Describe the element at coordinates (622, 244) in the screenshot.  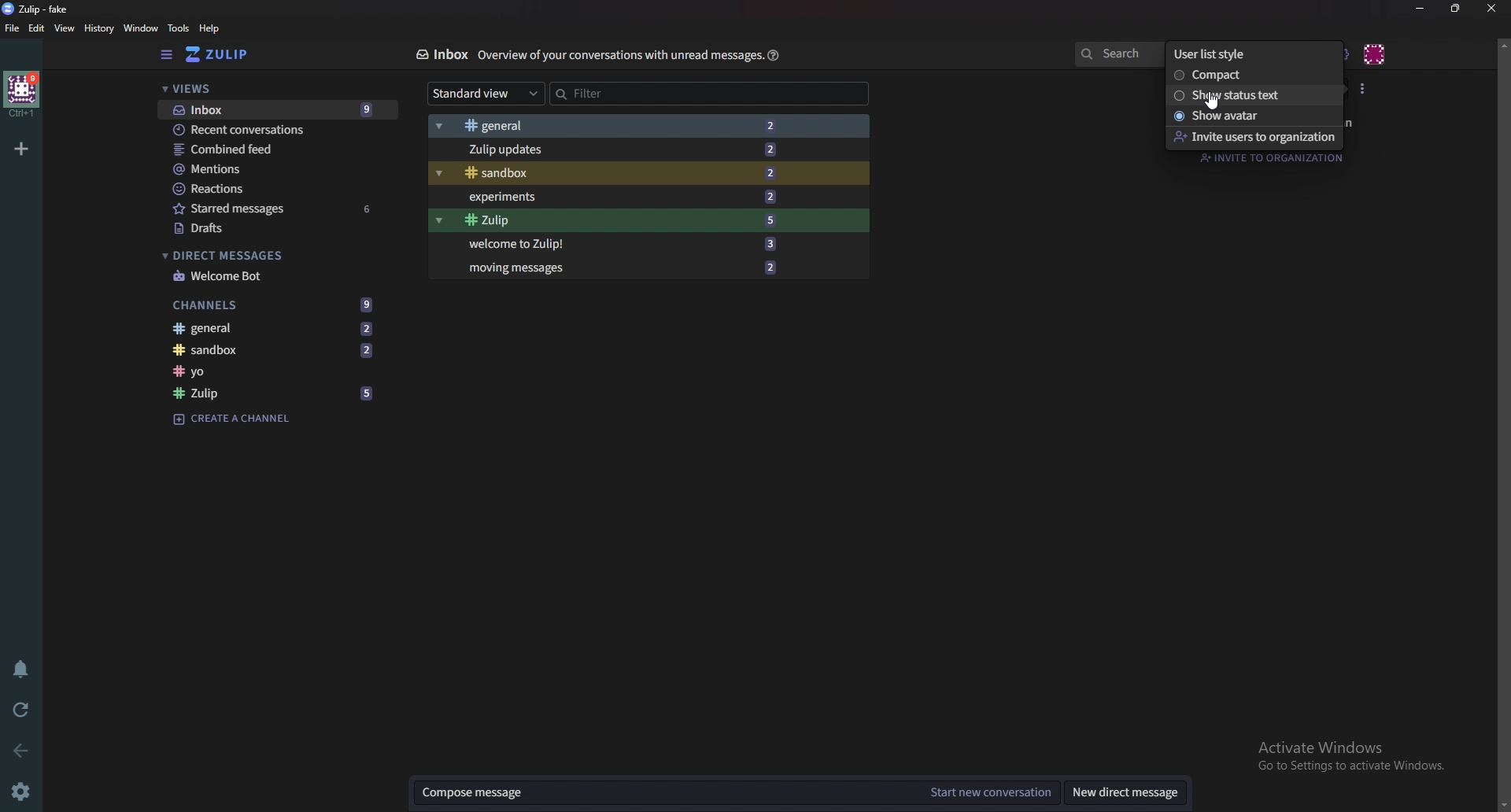
I see `Welcome to zulip` at that location.